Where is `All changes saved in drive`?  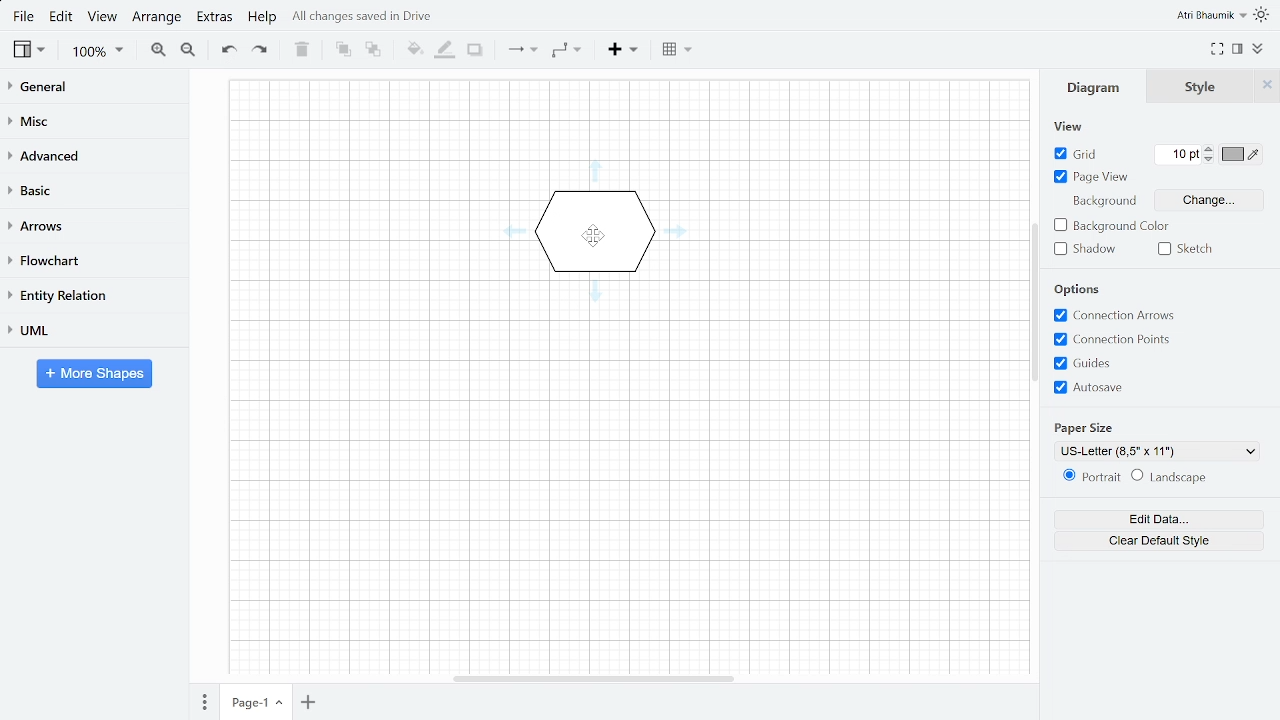 All changes saved in drive is located at coordinates (364, 16).